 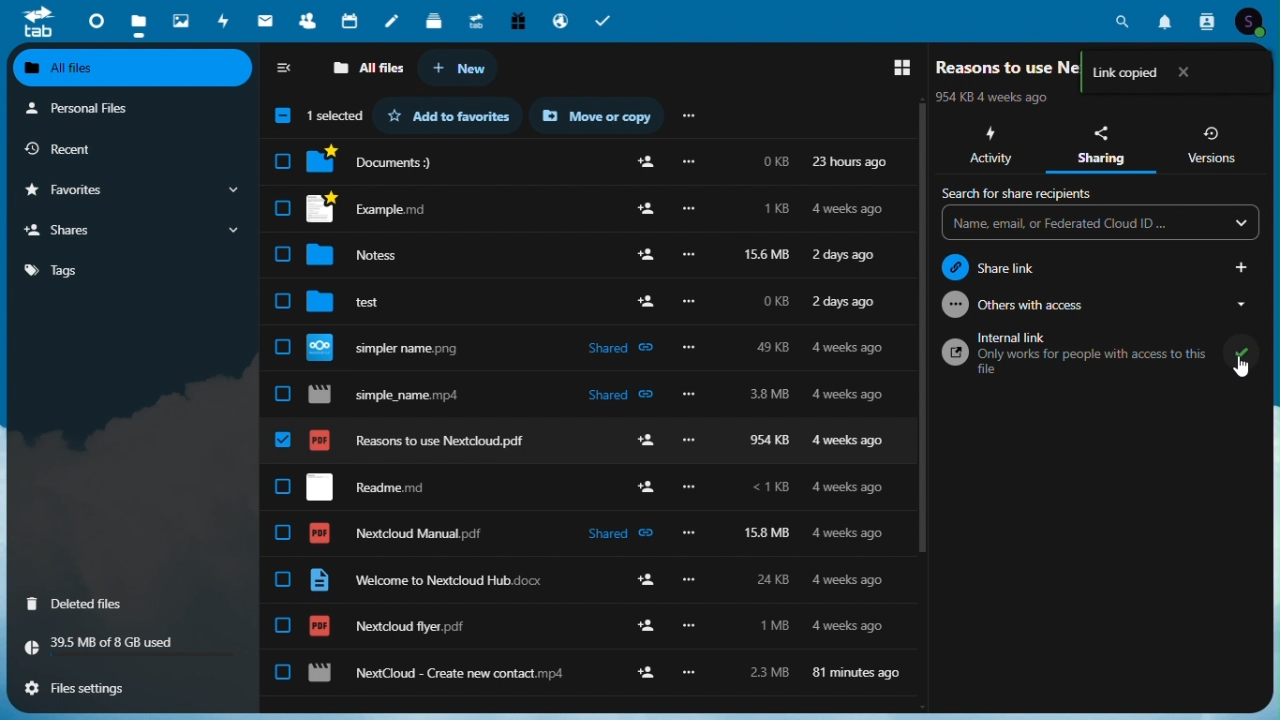 What do you see at coordinates (646, 629) in the screenshot?
I see ` add user` at bounding box center [646, 629].